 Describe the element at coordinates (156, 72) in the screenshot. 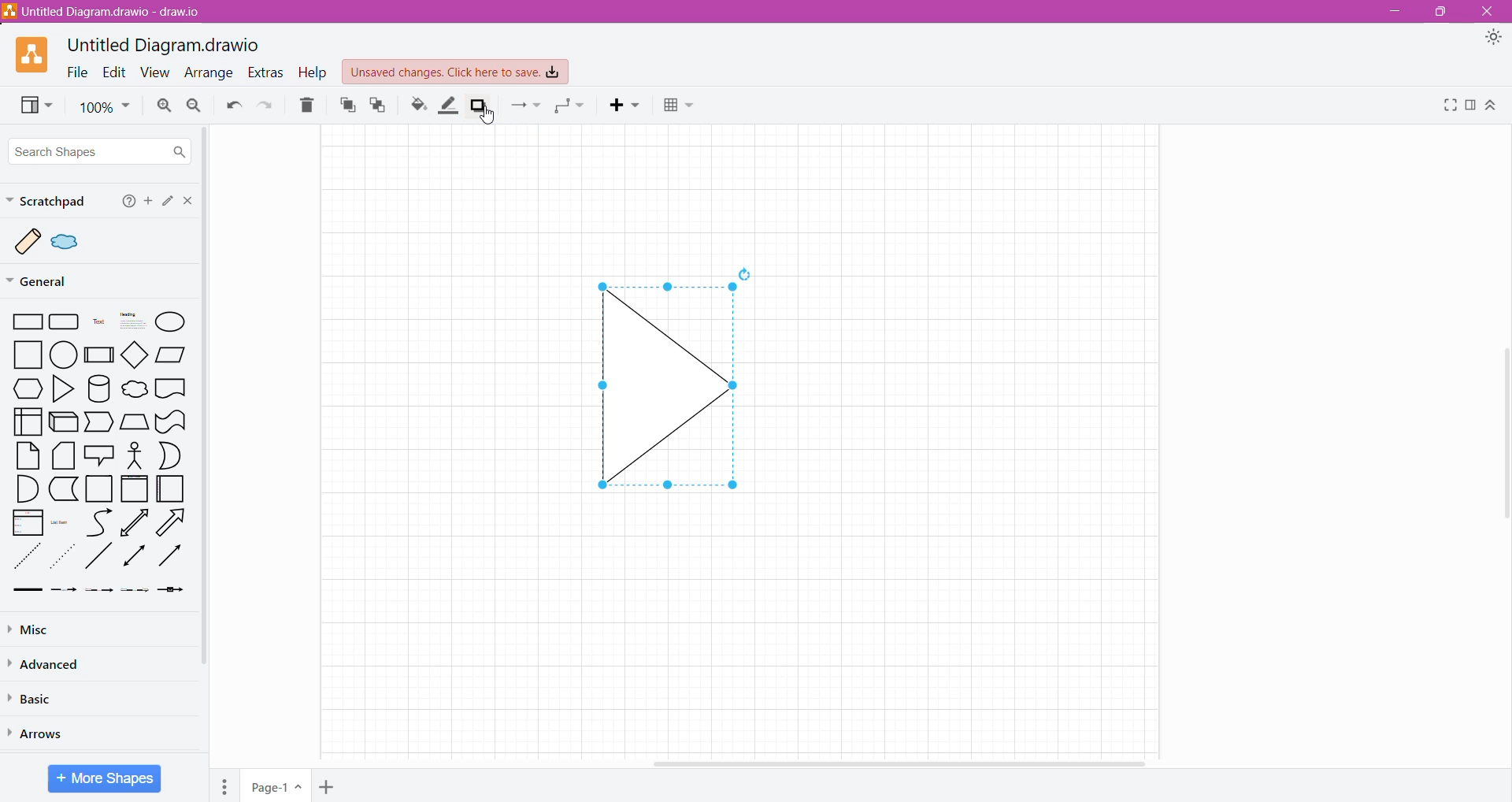

I see `View` at that location.